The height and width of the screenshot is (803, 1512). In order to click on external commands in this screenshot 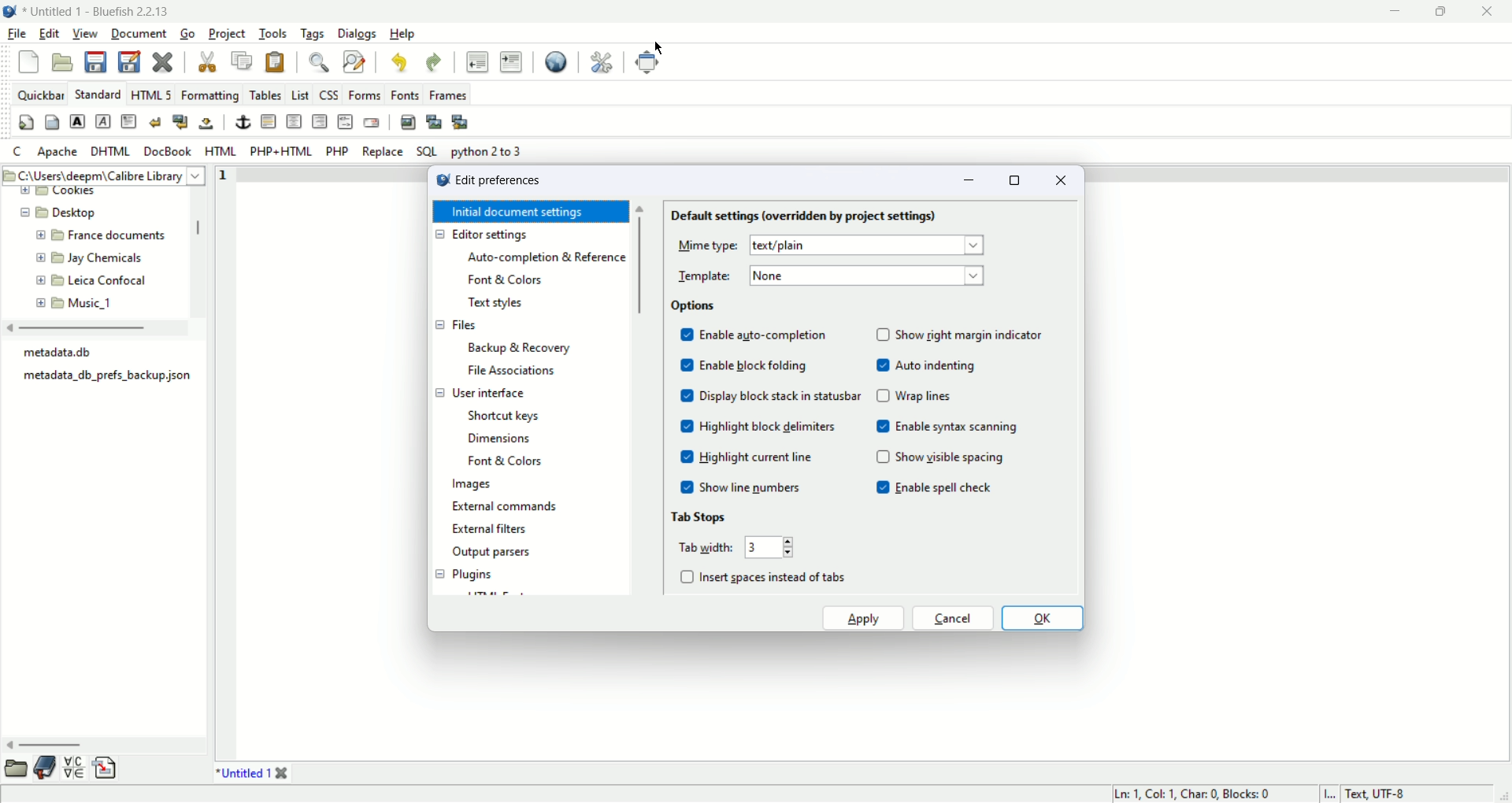, I will do `click(513, 507)`.